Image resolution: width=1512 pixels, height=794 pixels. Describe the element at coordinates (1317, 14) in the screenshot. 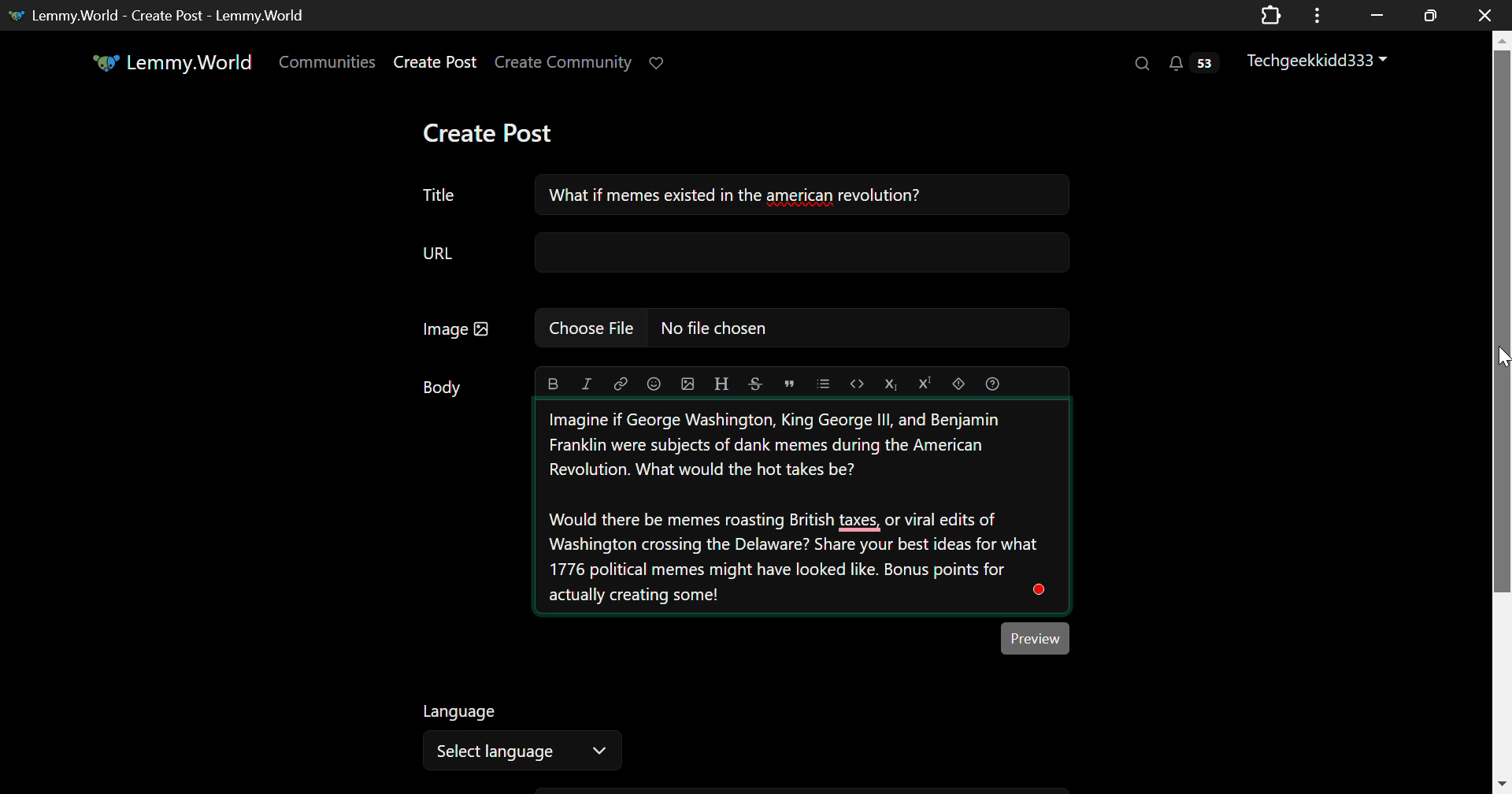

I see `Application Options` at that location.